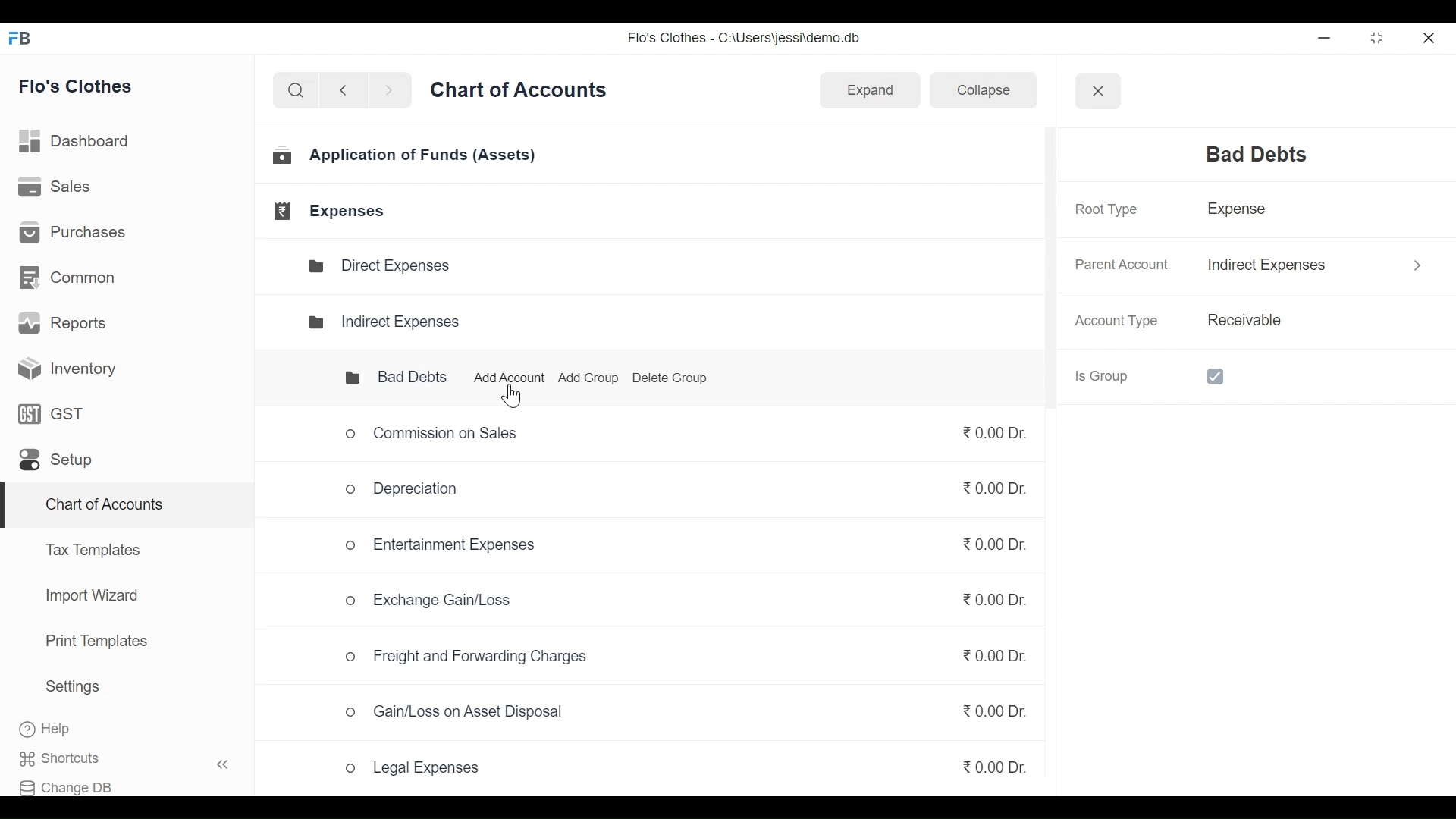 Image resolution: width=1456 pixels, height=819 pixels. Describe the element at coordinates (673, 378) in the screenshot. I see `Delete Group` at that location.